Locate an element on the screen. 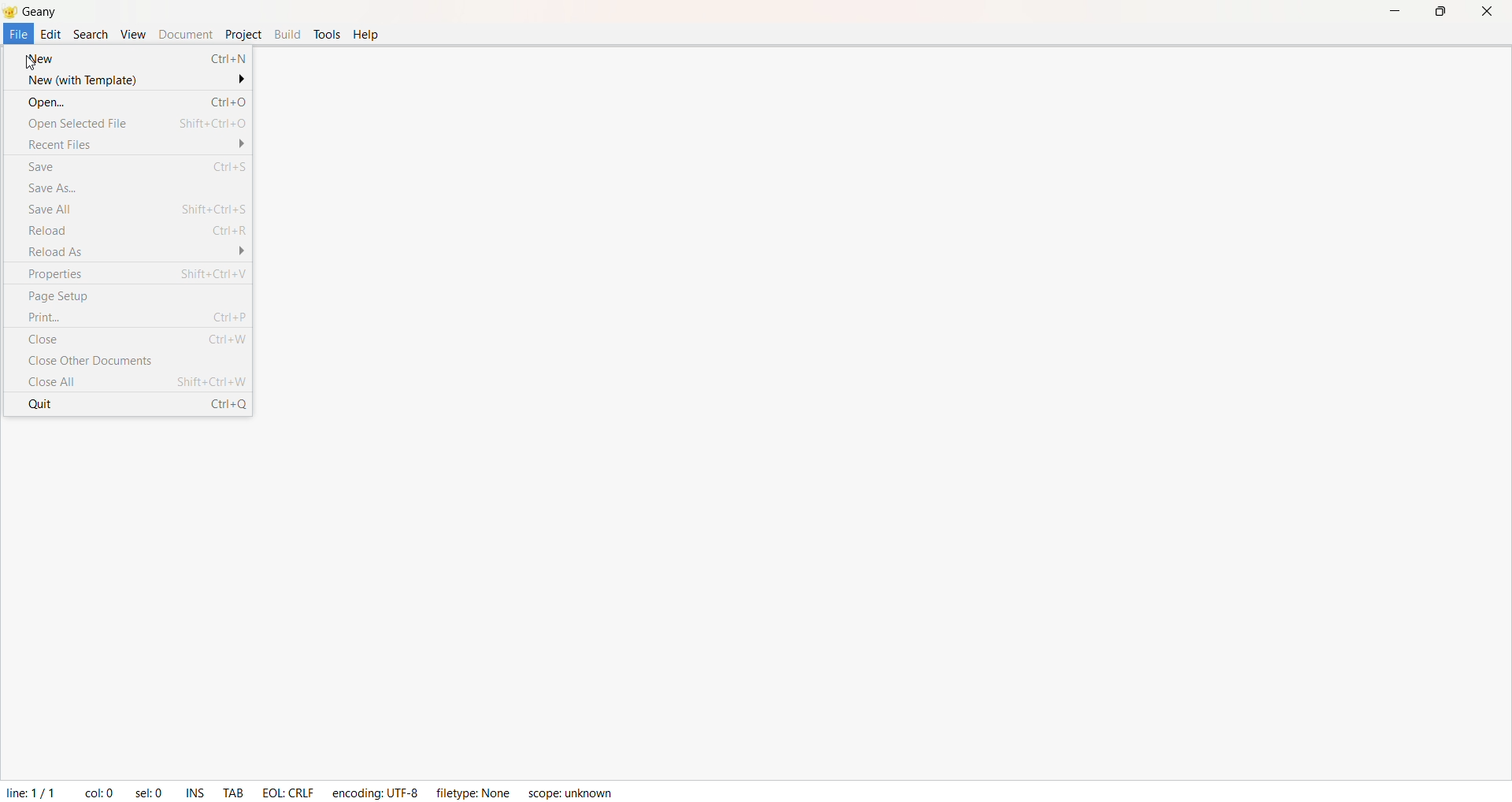  Build is located at coordinates (287, 33).